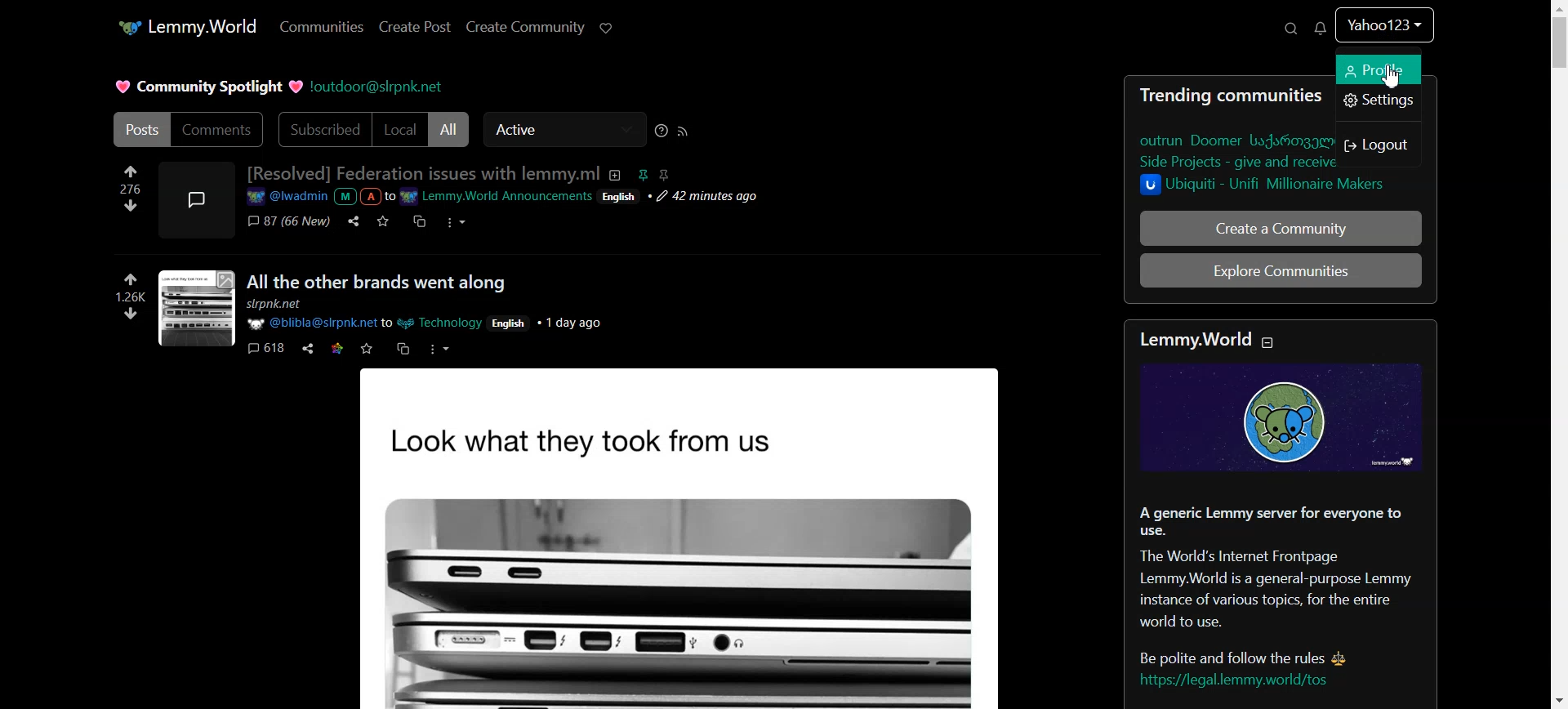 The width and height of the screenshot is (1568, 709). What do you see at coordinates (438, 350) in the screenshot?
I see `` at bounding box center [438, 350].